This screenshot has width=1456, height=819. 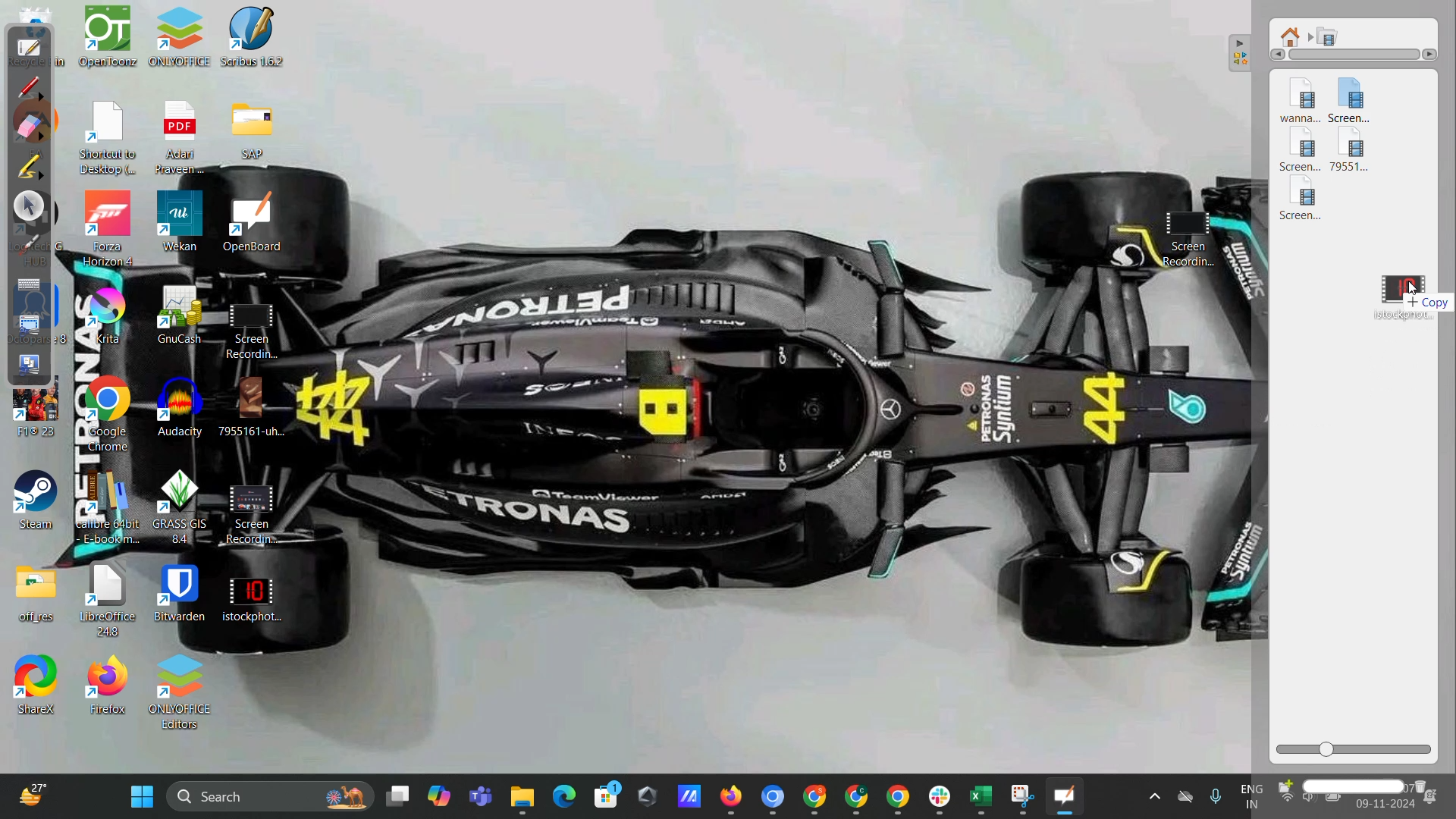 What do you see at coordinates (249, 598) in the screenshot?
I see `istockphoto` at bounding box center [249, 598].